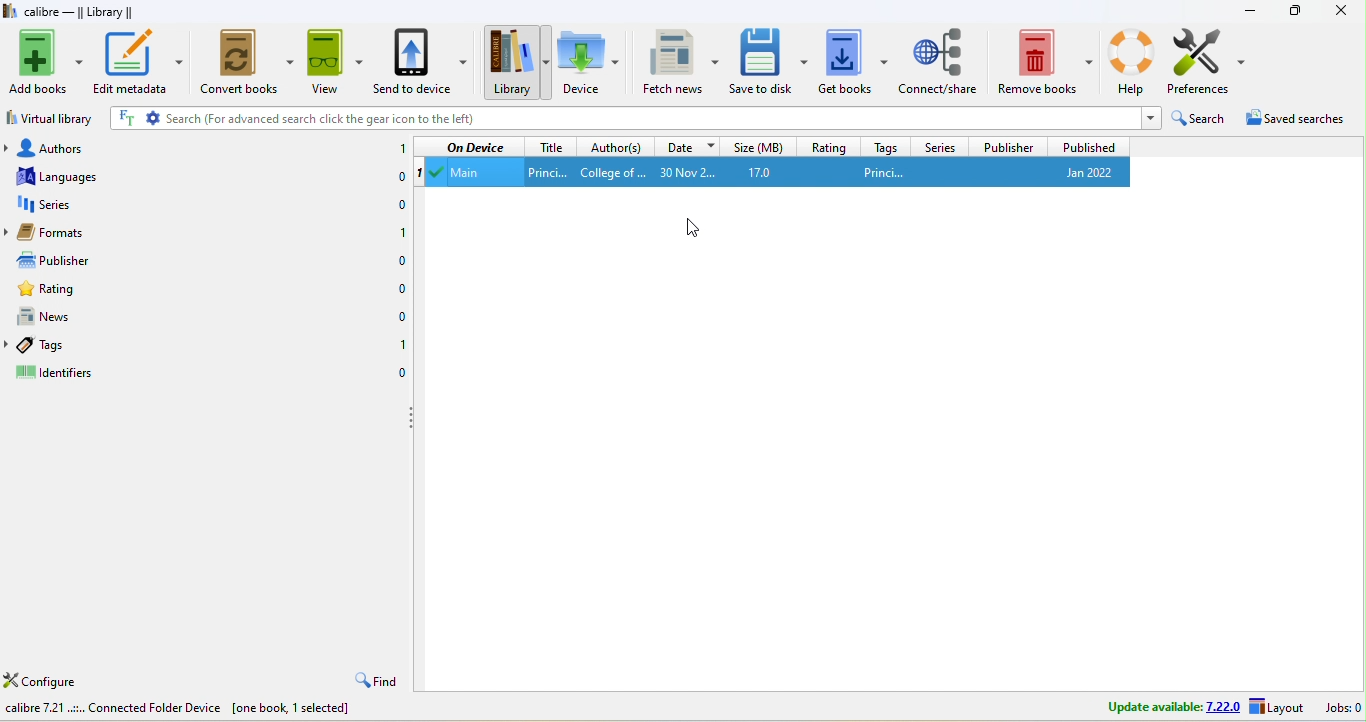  What do you see at coordinates (547, 171) in the screenshot?
I see `title` at bounding box center [547, 171].